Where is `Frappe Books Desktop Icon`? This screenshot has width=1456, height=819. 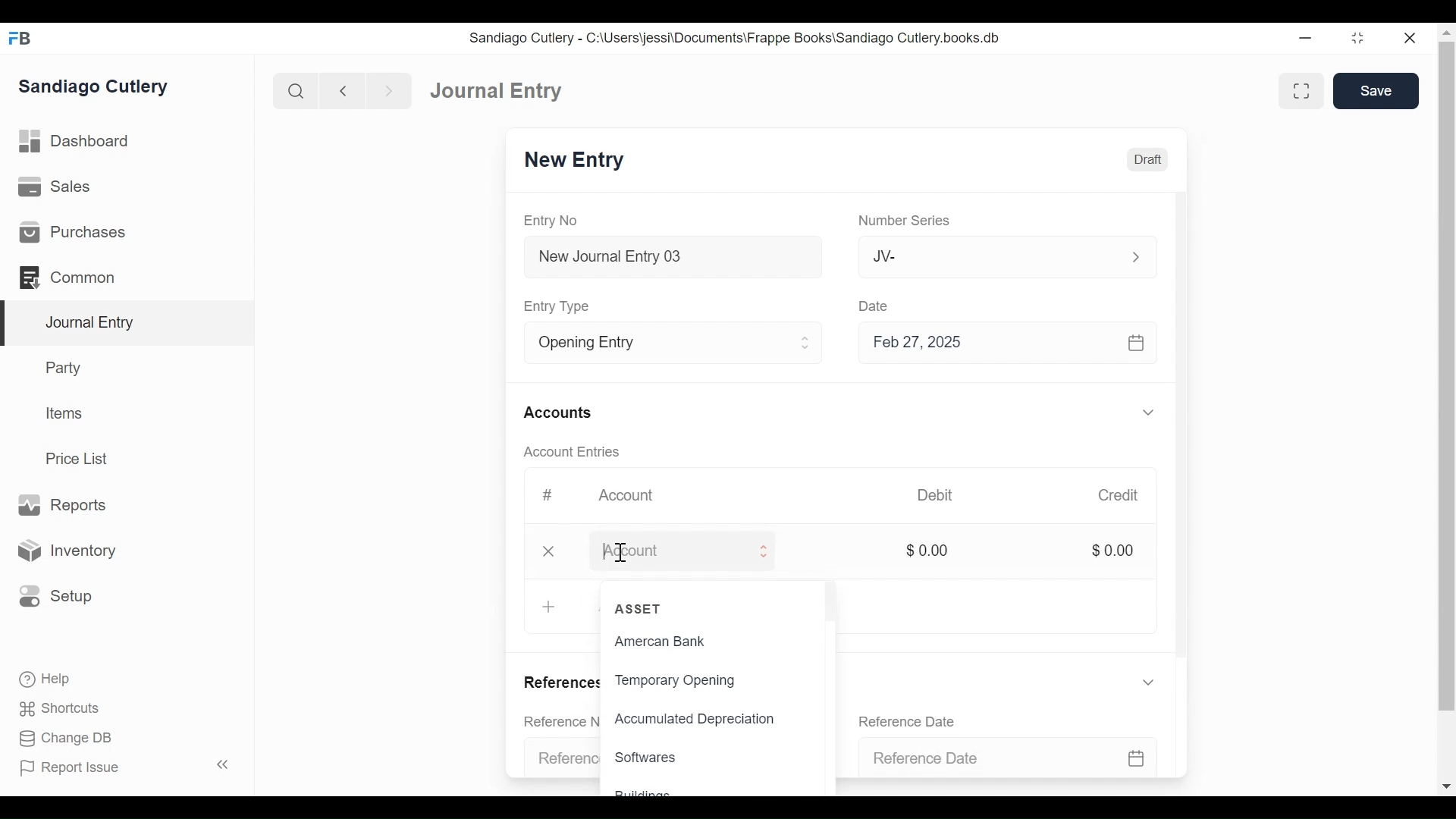 Frappe Books Desktop Icon is located at coordinates (20, 39).